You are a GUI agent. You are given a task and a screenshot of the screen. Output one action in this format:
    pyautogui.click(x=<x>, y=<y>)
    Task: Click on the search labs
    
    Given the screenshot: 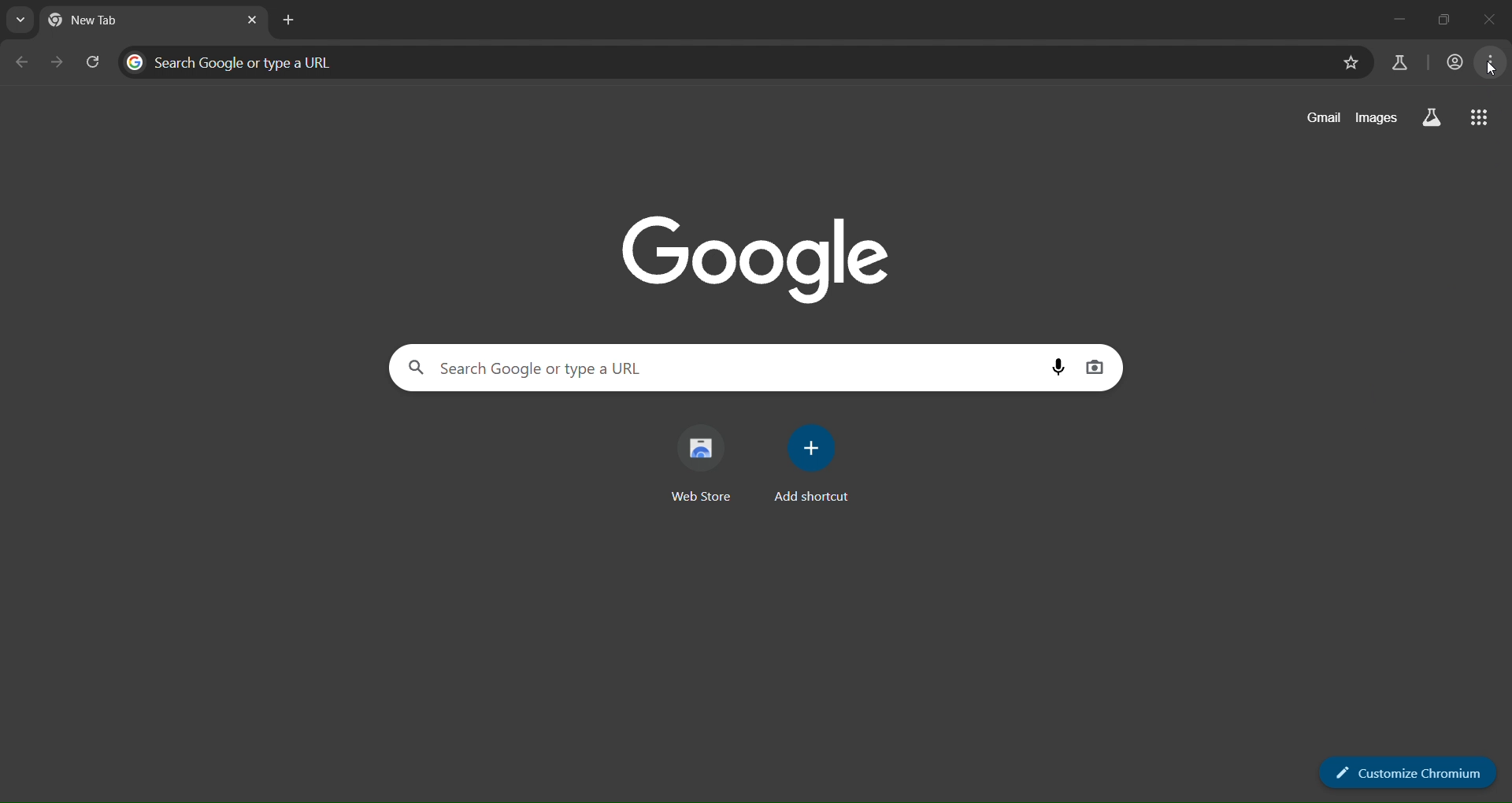 What is the action you would take?
    pyautogui.click(x=1398, y=61)
    